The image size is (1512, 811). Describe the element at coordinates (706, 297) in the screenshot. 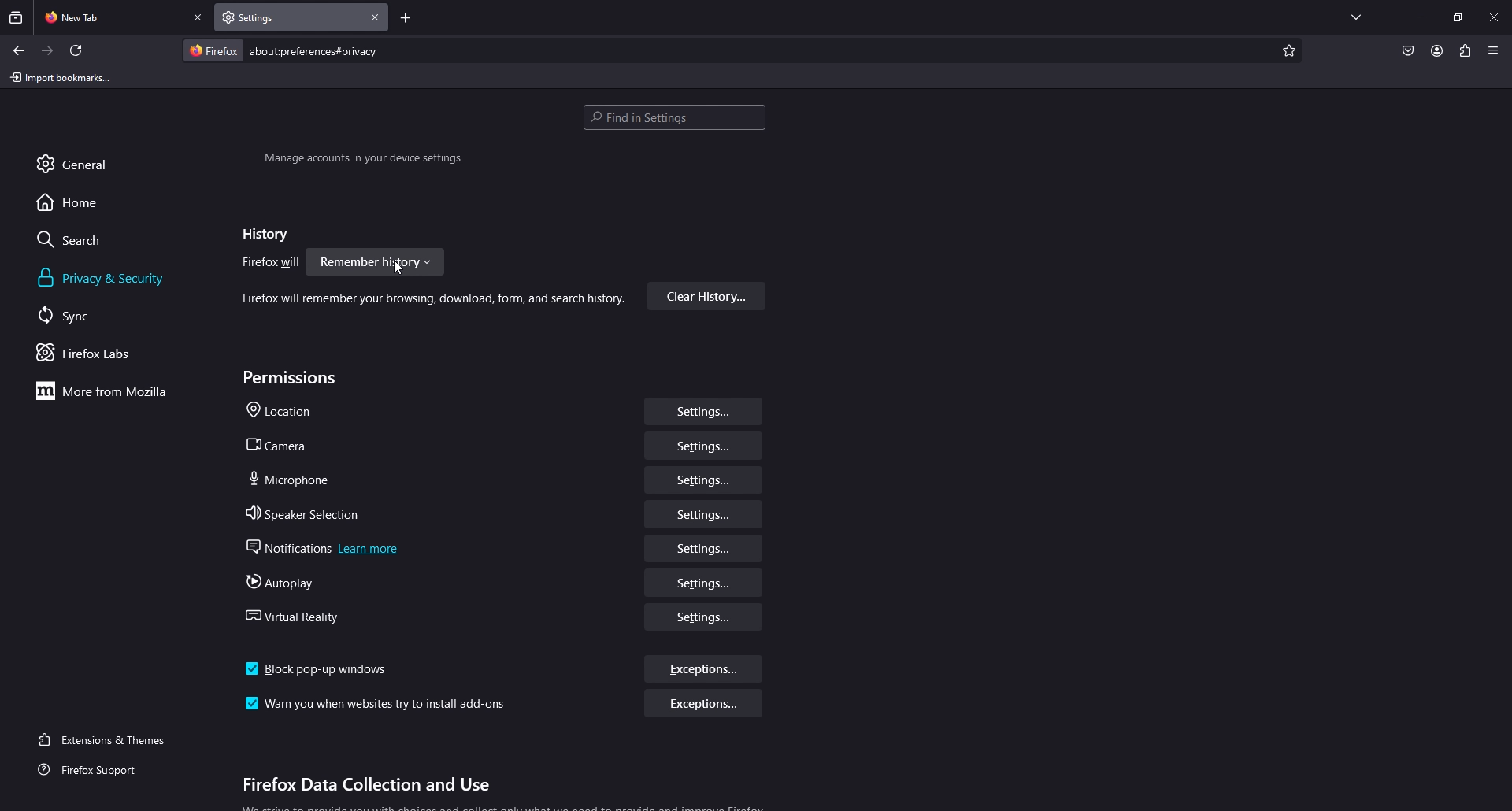

I see `clear history` at that location.